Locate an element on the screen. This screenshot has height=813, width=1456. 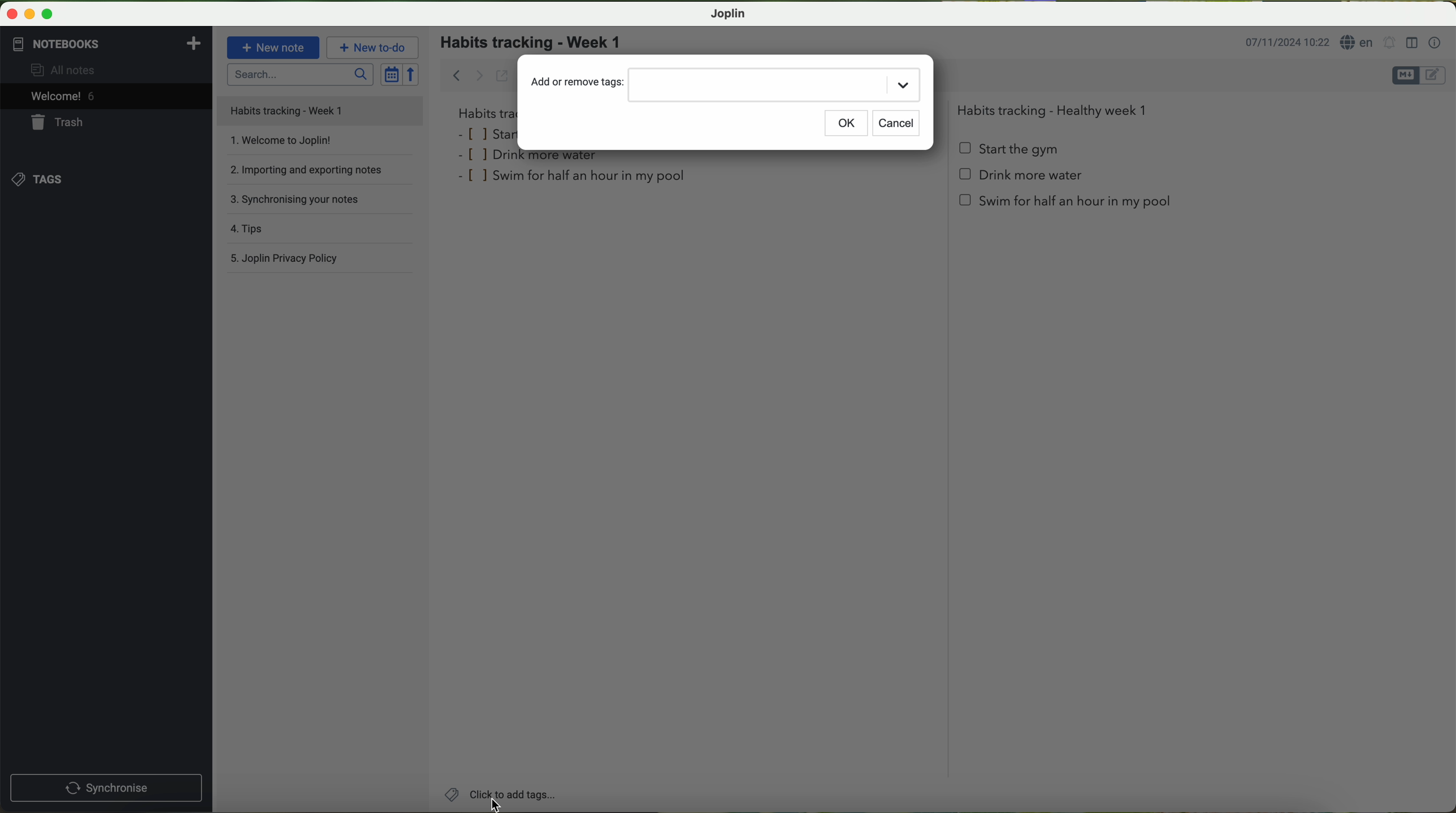
forward is located at coordinates (479, 75).